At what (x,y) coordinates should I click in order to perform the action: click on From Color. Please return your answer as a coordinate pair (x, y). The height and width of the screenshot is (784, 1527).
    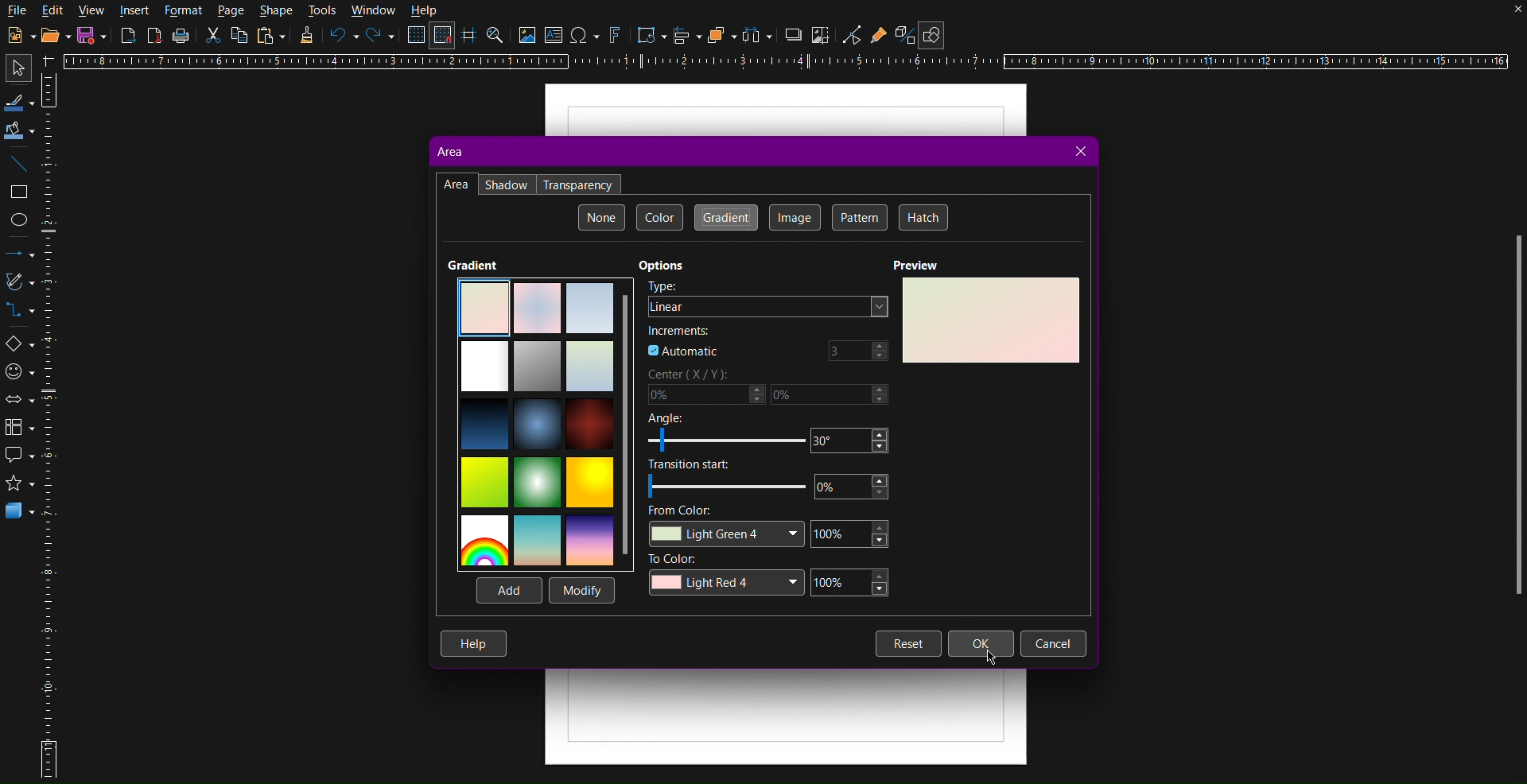
    Looking at the image, I should click on (765, 526).